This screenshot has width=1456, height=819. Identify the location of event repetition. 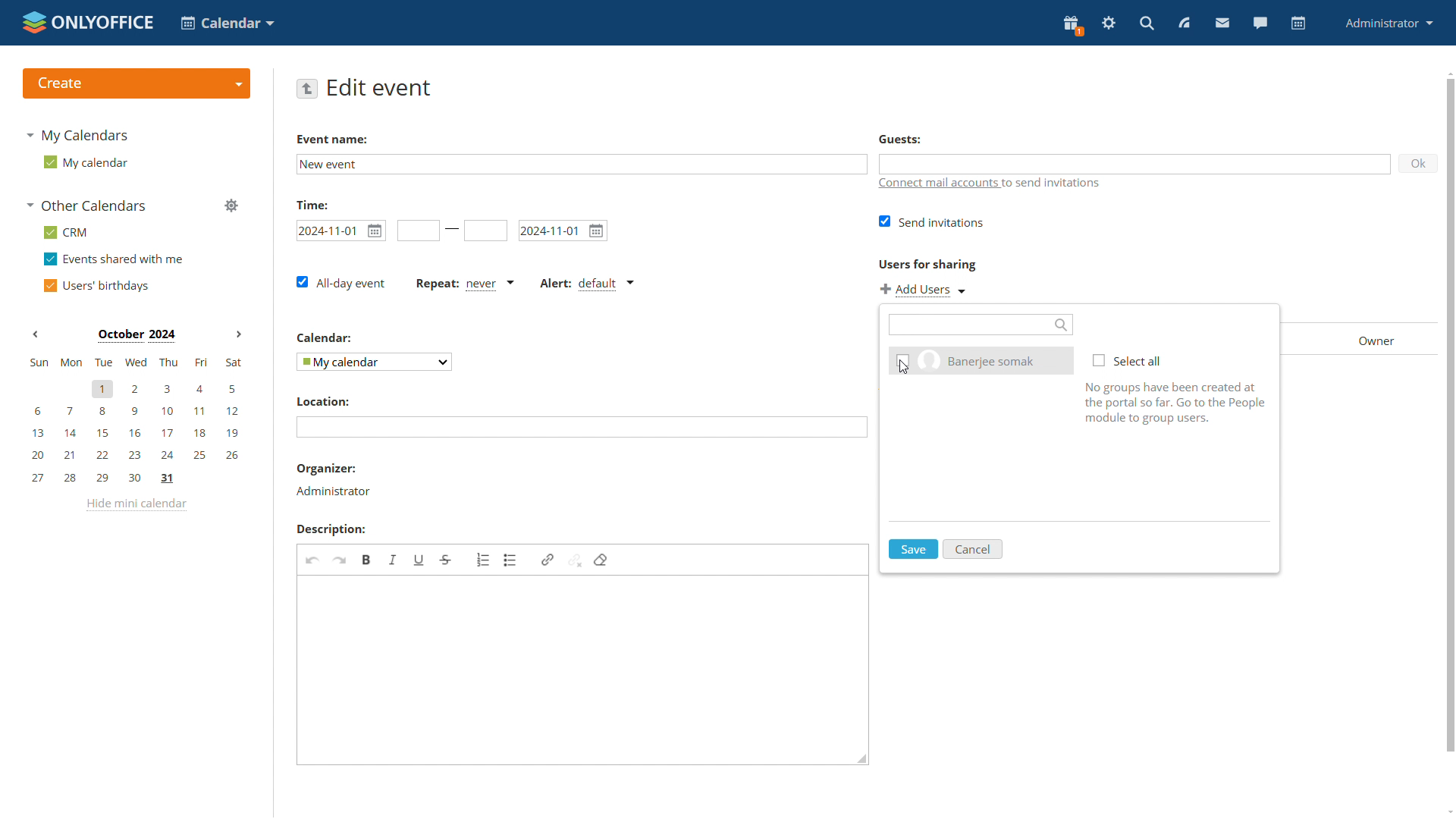
(466, 284).